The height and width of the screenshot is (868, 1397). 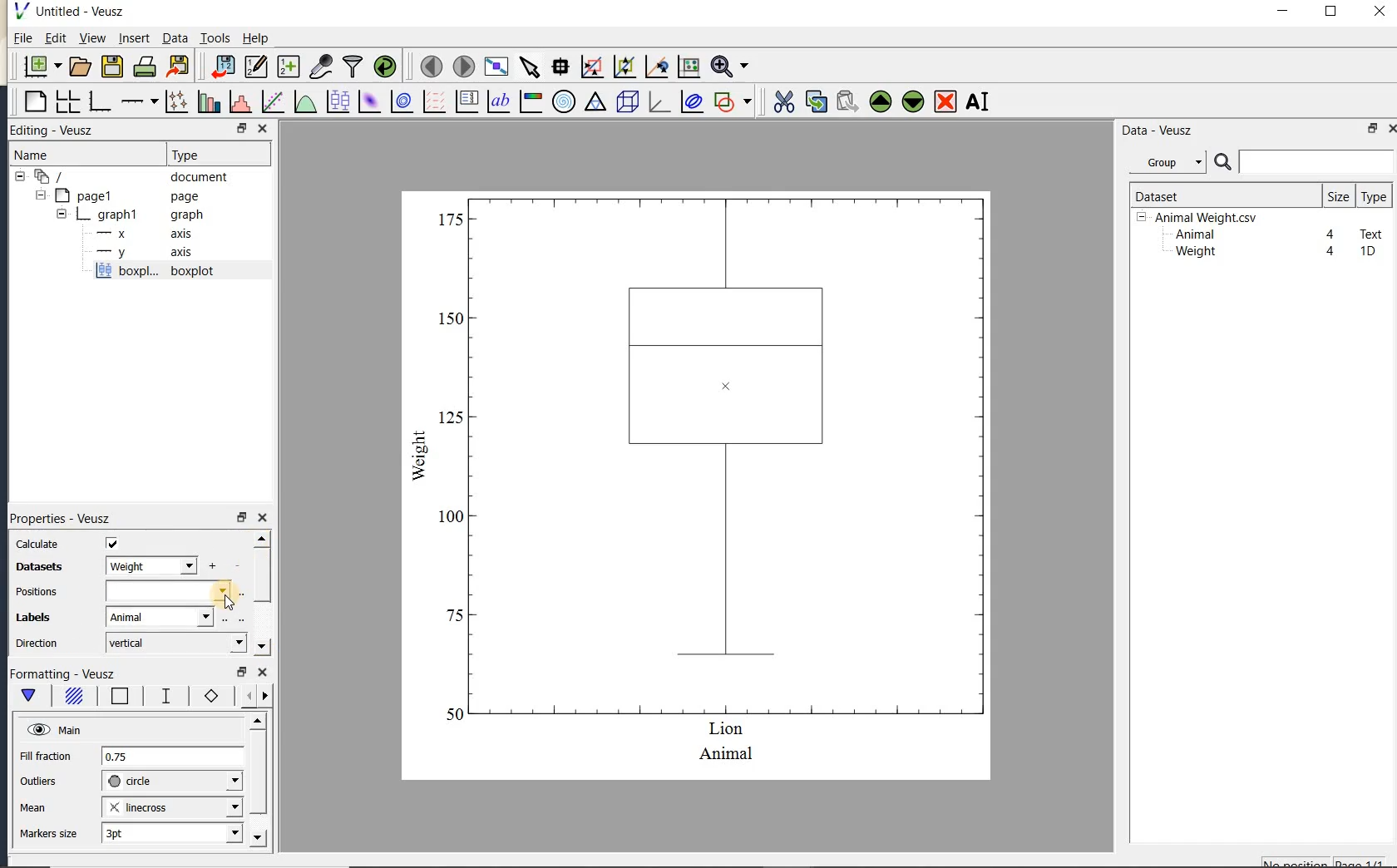 What do you see at coordinates (91, 40) in the screenshot?
I see `view` at bounding box center [91, 40].